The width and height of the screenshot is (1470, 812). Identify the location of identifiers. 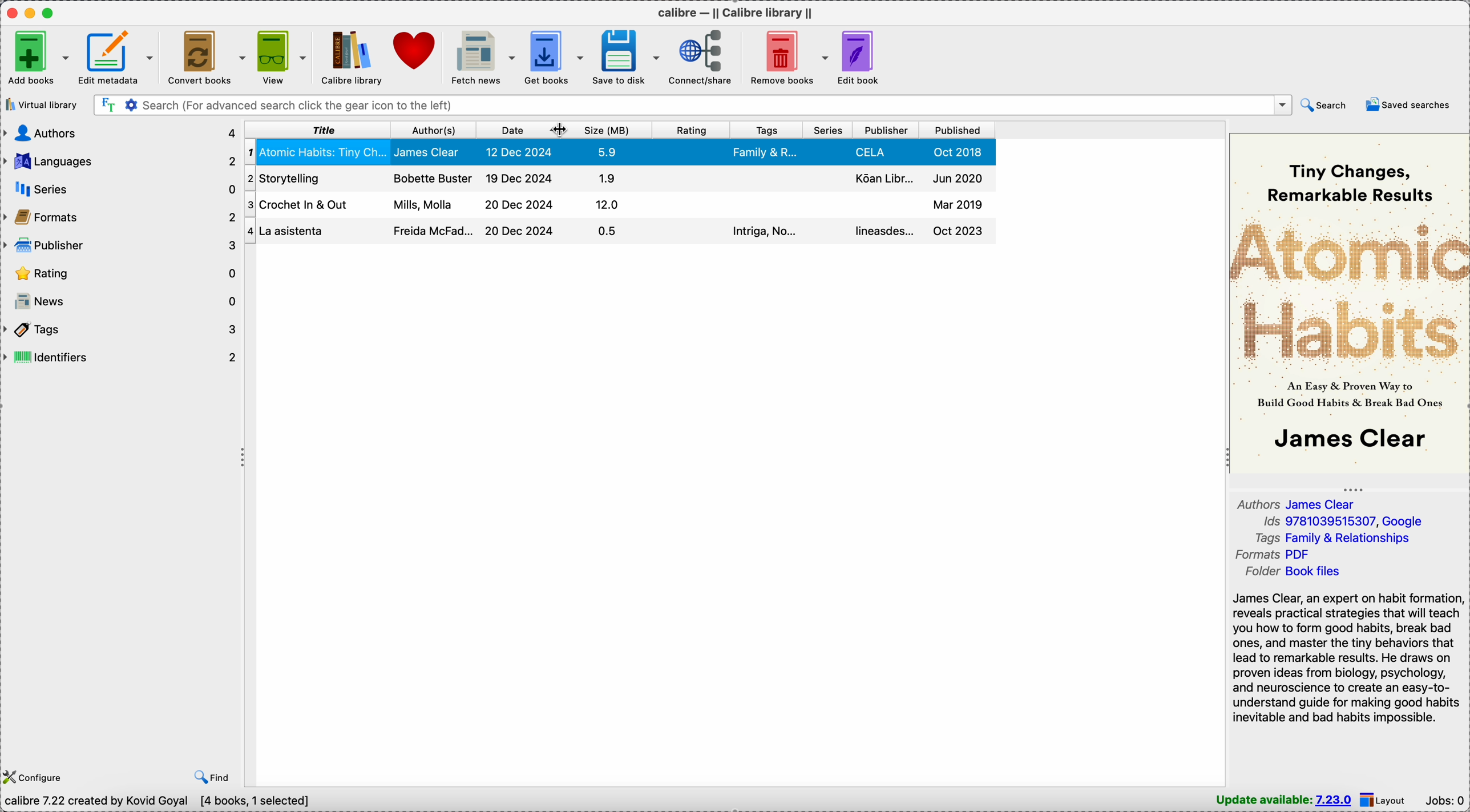
(122, 359).